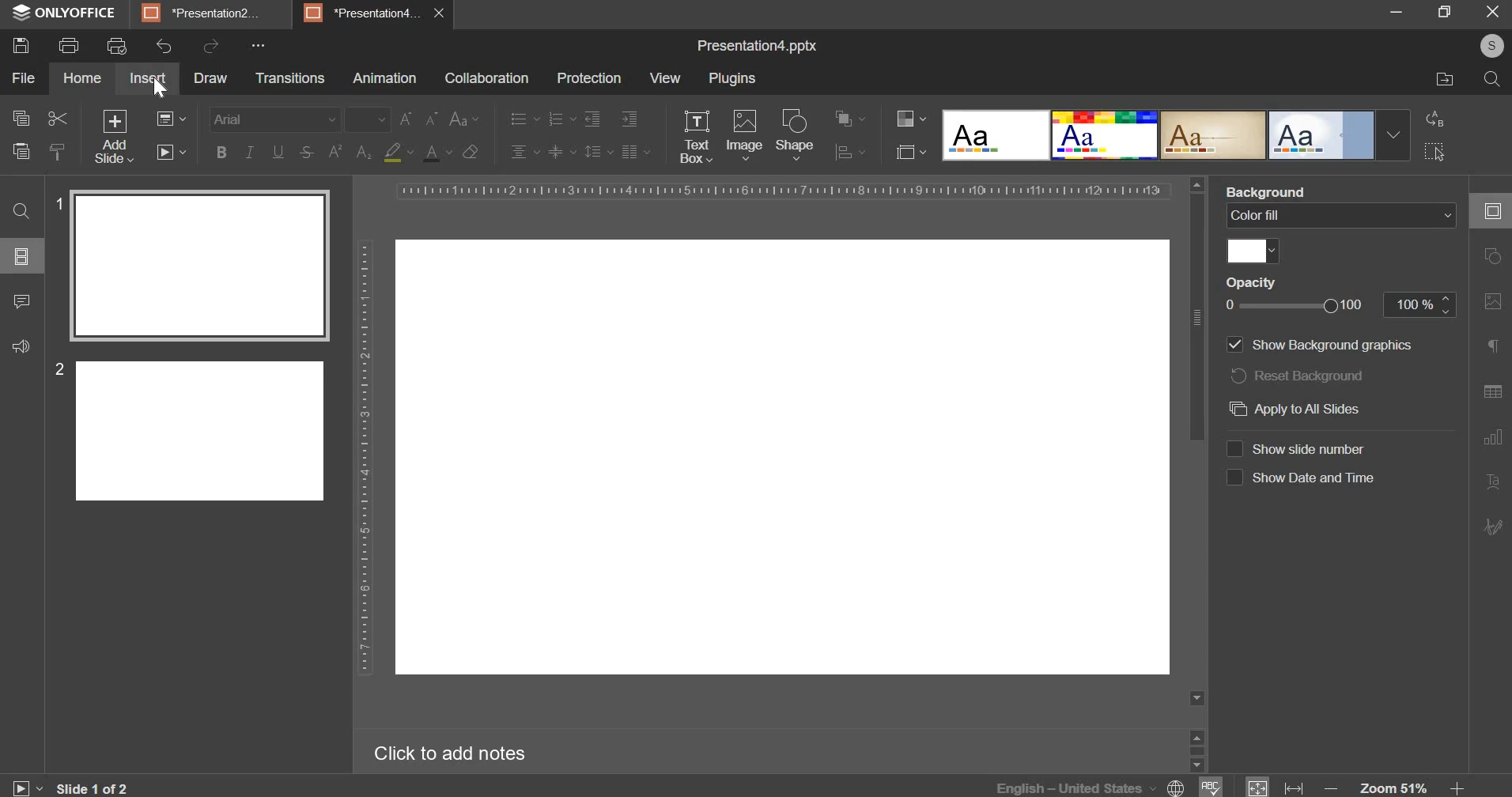  What do you see at coordinates (198, 11) in the screenshot?
I see `*Presentation2.` at bounding box center [198, 11].